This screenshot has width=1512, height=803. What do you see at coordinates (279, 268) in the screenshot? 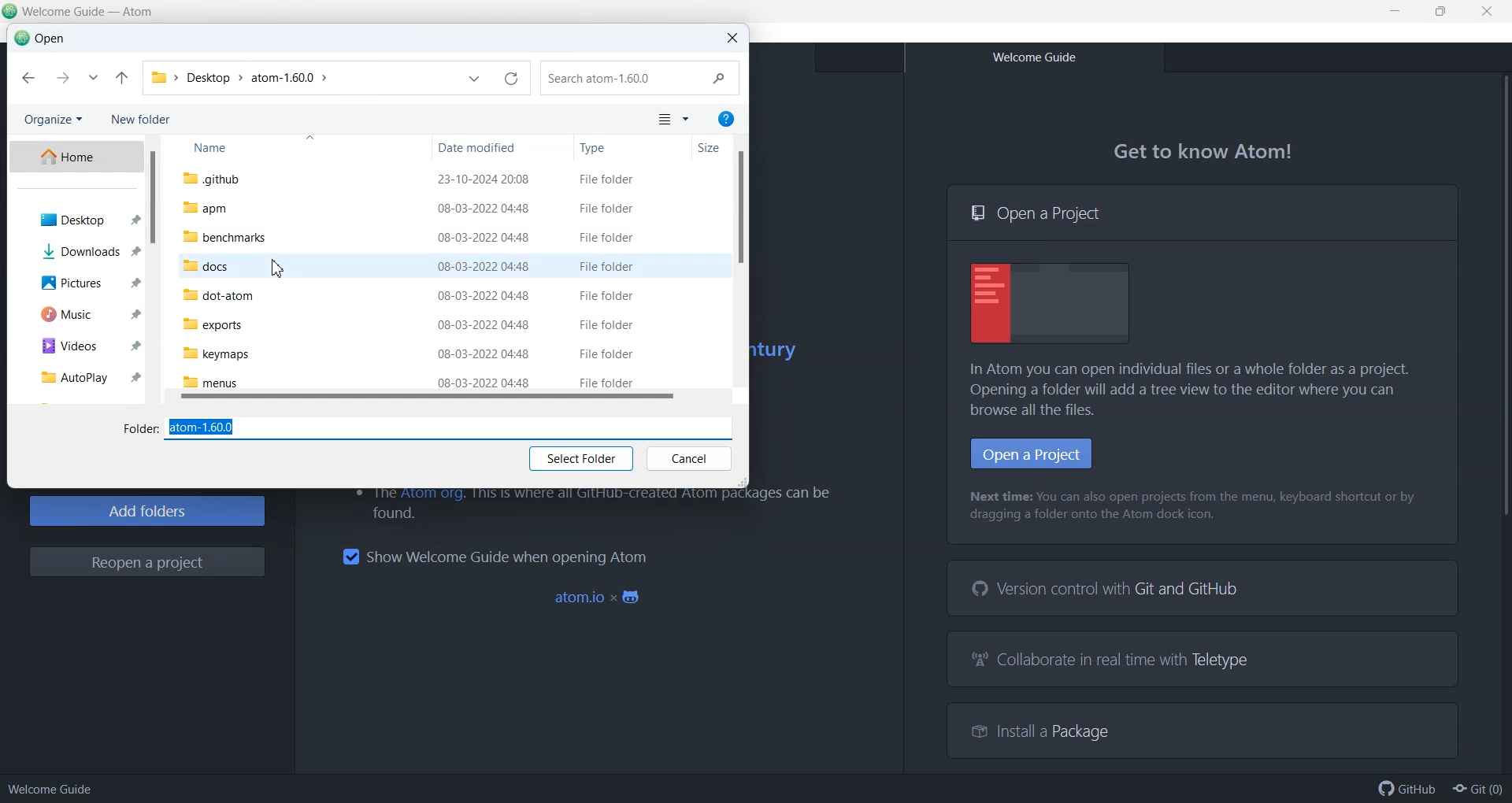
I see `Cursor` at bounding box center [279, 268].